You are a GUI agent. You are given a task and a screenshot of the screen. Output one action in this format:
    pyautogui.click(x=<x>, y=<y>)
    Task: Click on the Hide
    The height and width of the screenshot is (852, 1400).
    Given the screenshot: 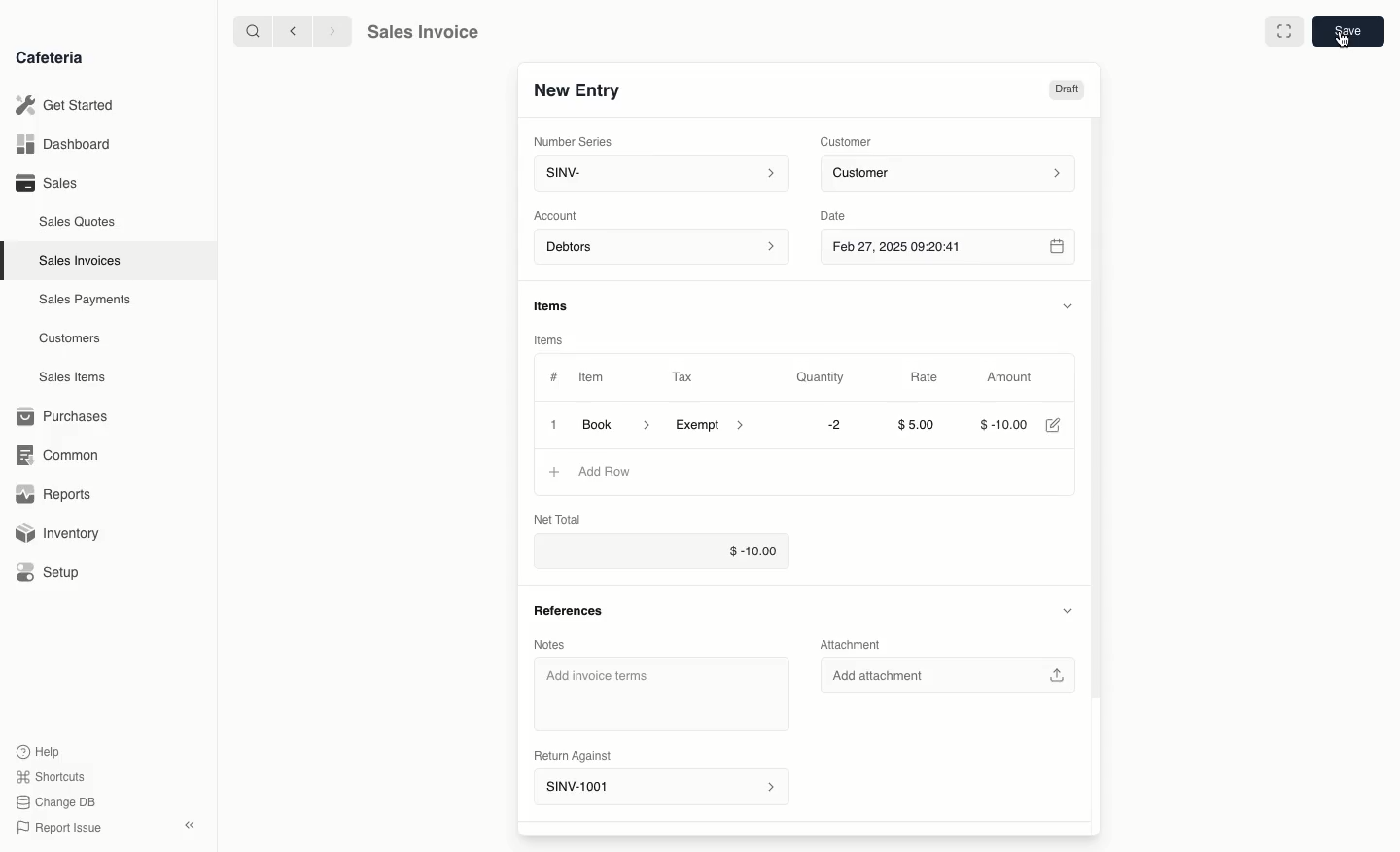 What is the action you would take?
    pyautogui.click(x=1075, y=303)
    